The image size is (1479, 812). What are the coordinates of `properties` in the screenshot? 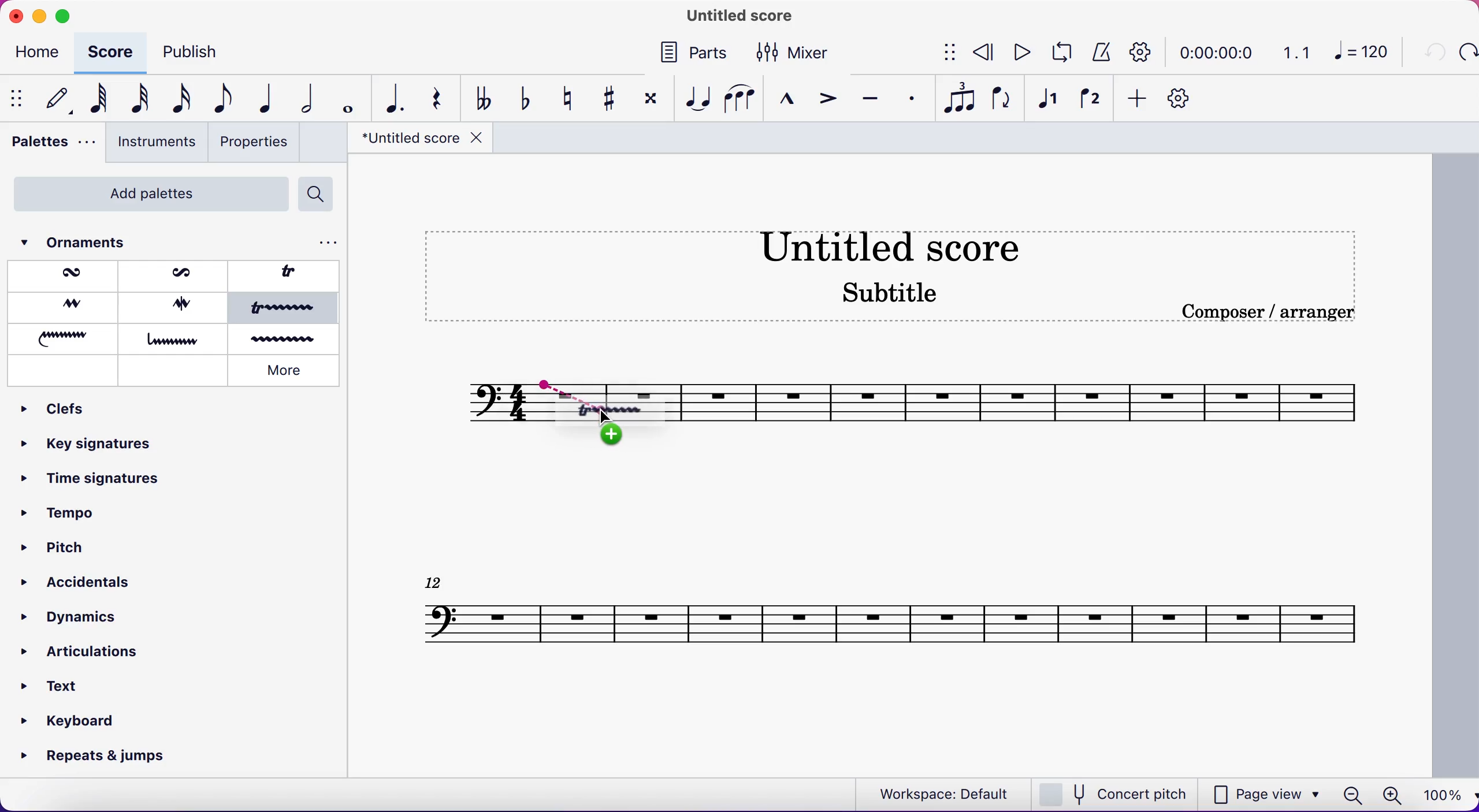 It's located at (257, 144).